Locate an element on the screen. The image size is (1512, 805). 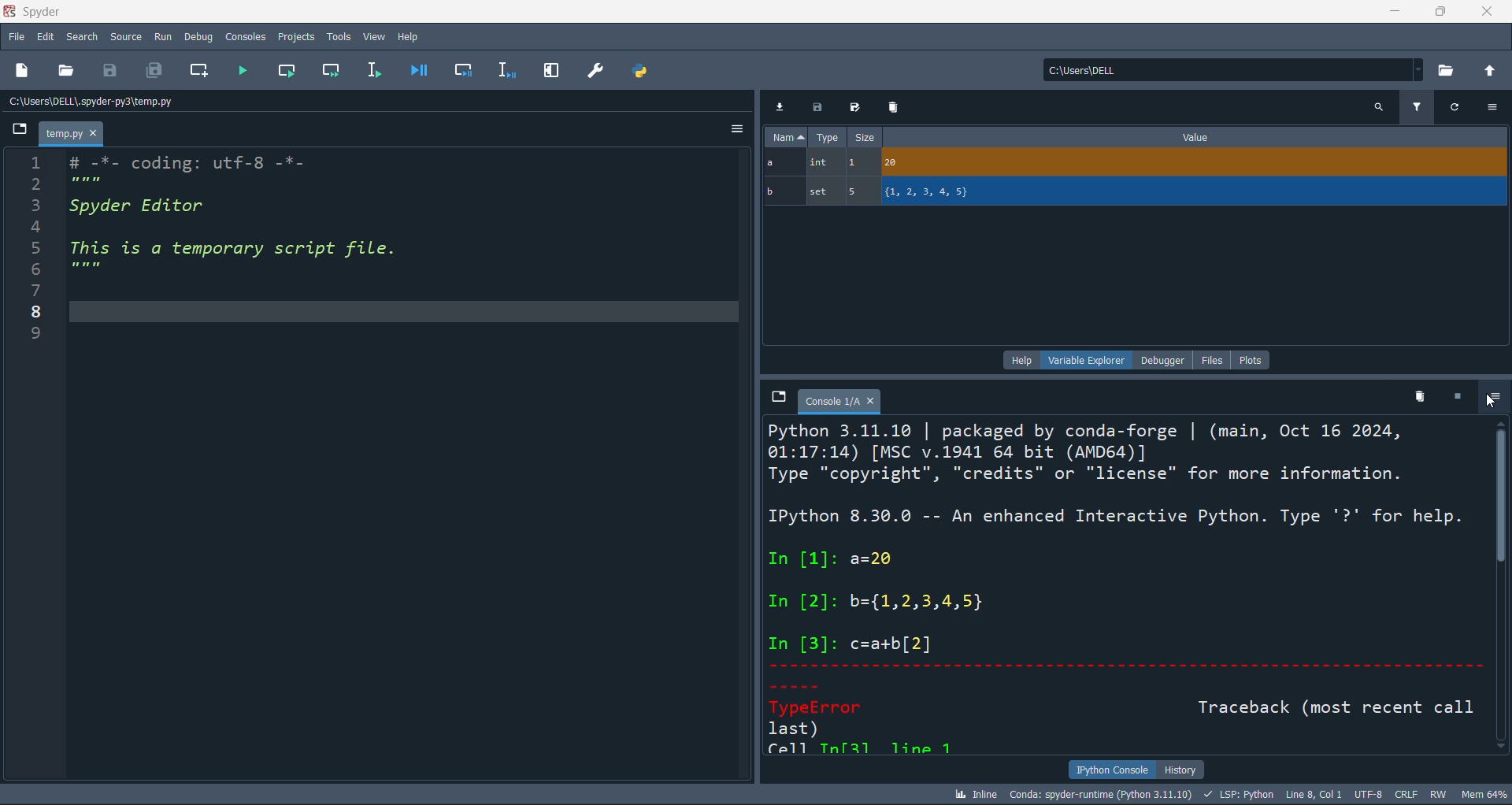
history is located at coordinates (1181, 768).